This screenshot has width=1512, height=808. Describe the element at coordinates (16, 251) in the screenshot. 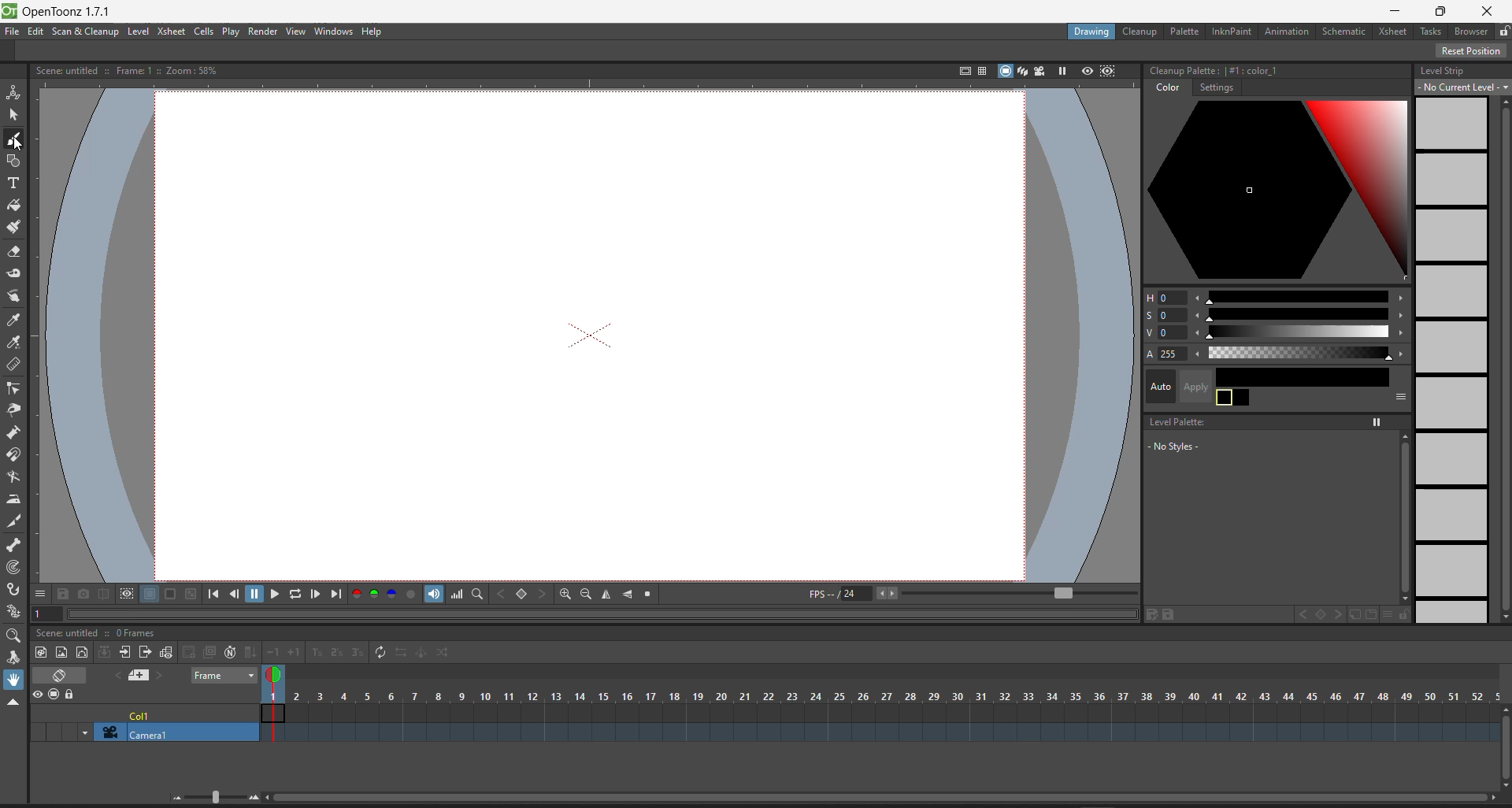

I see `eraser tool` at that location.